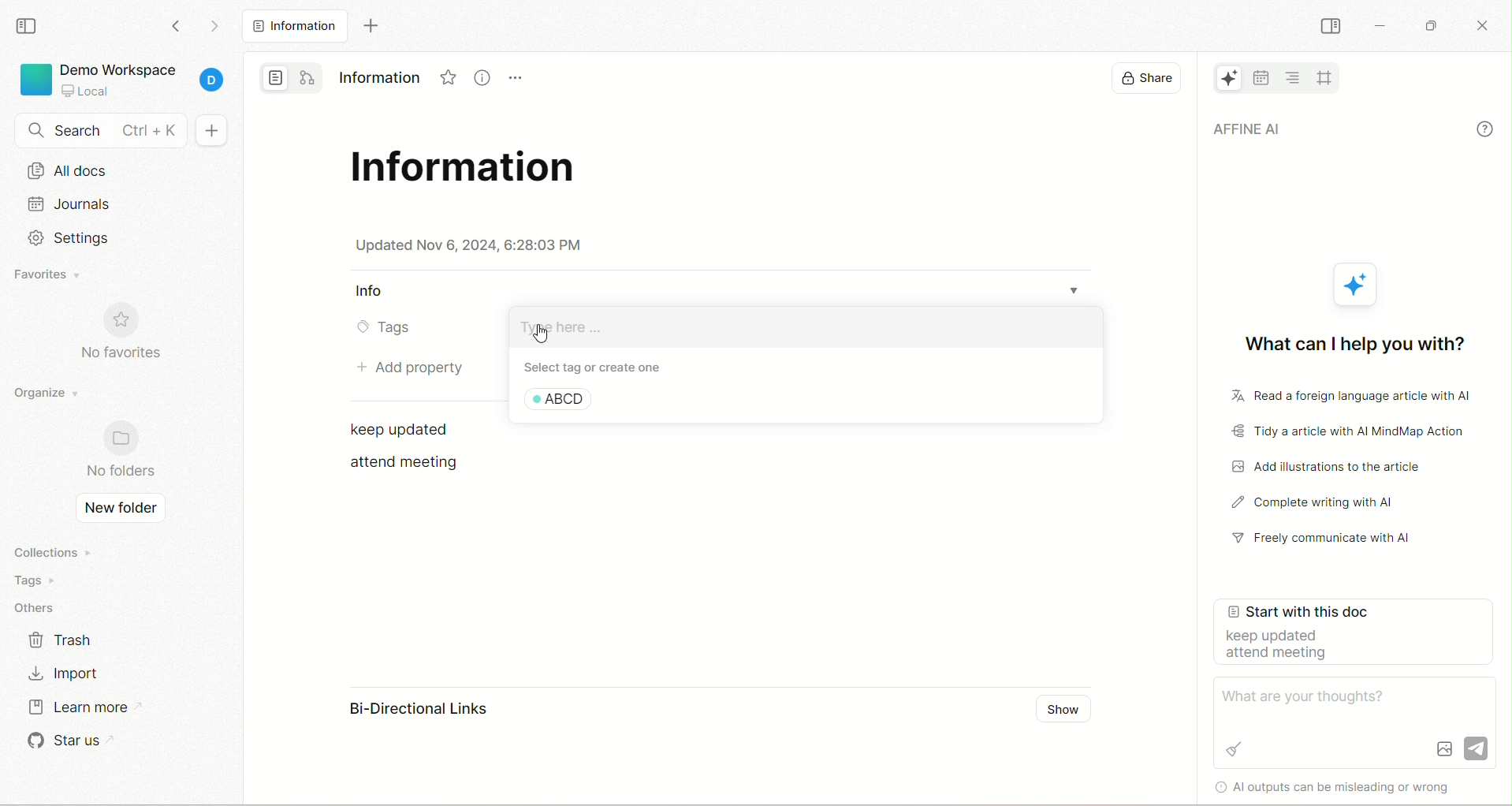  What do you see at coordinates (408, 367) in the screenshot?
I see `add property` at bounding box center [408, 367].